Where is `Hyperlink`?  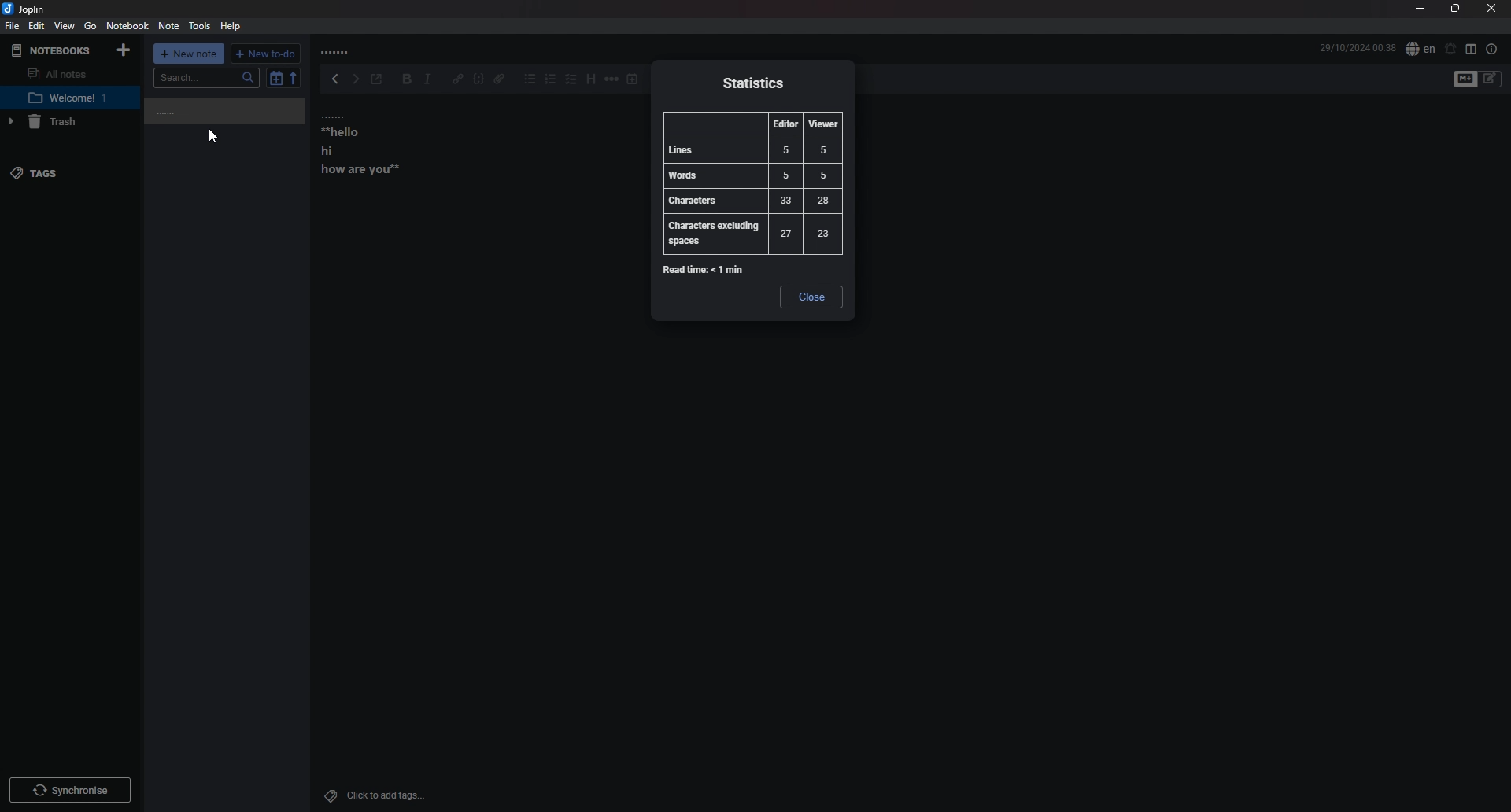 Hyperlink is located at coordinates (456, 79).